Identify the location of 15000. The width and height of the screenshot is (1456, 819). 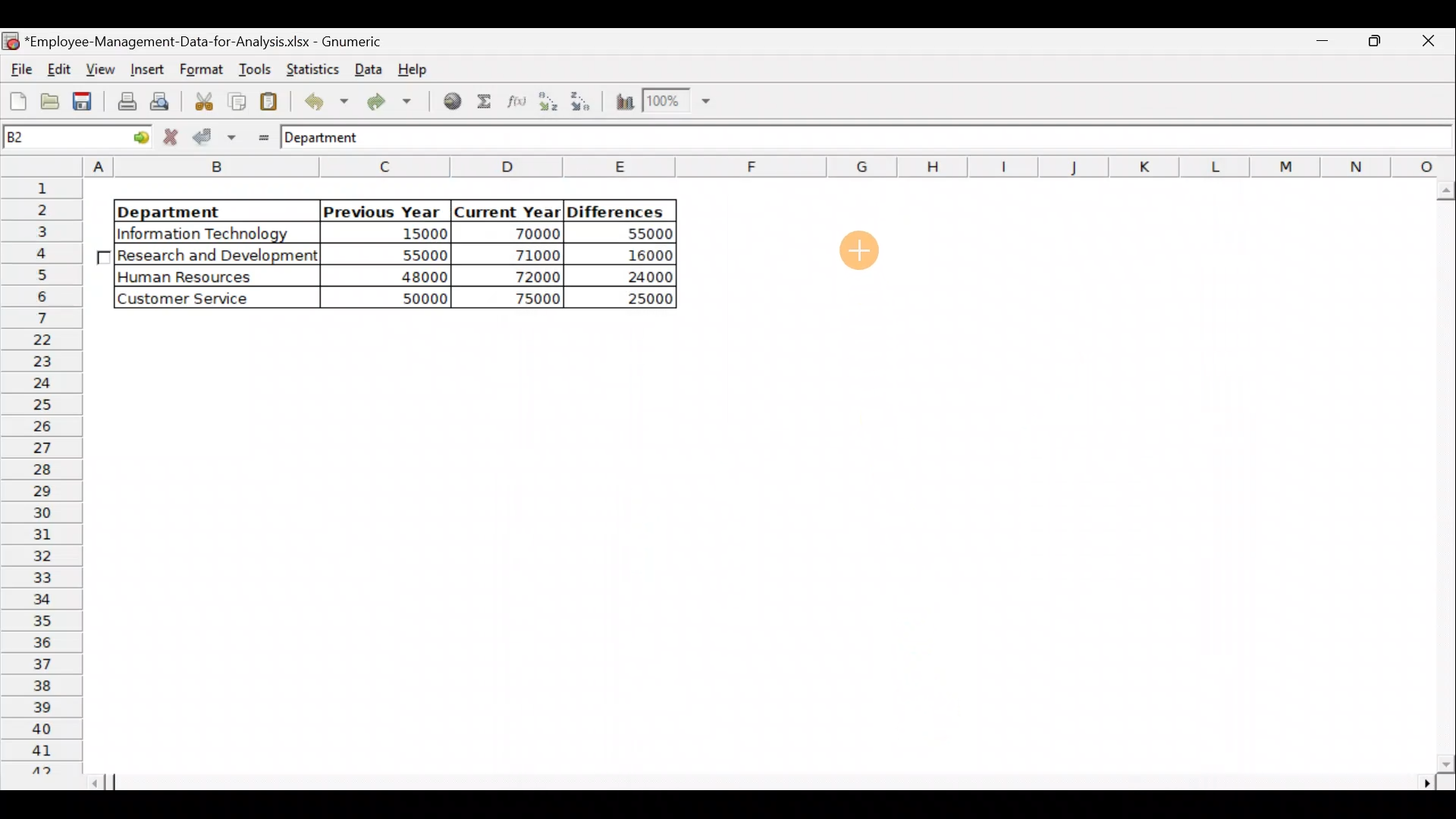
(397, 236).